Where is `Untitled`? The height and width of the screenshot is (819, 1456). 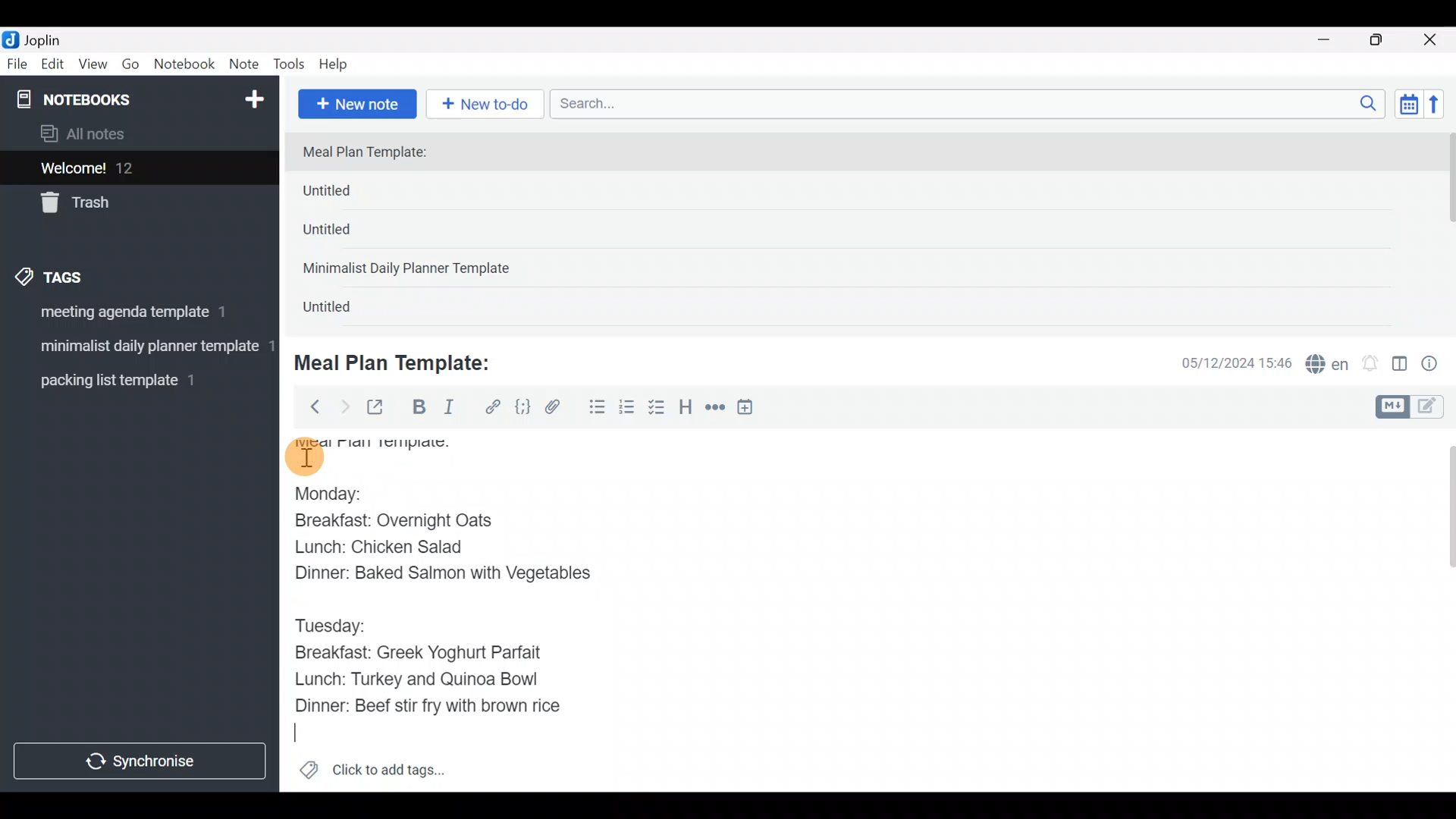
Untitled is located at coordinates (352, 194).